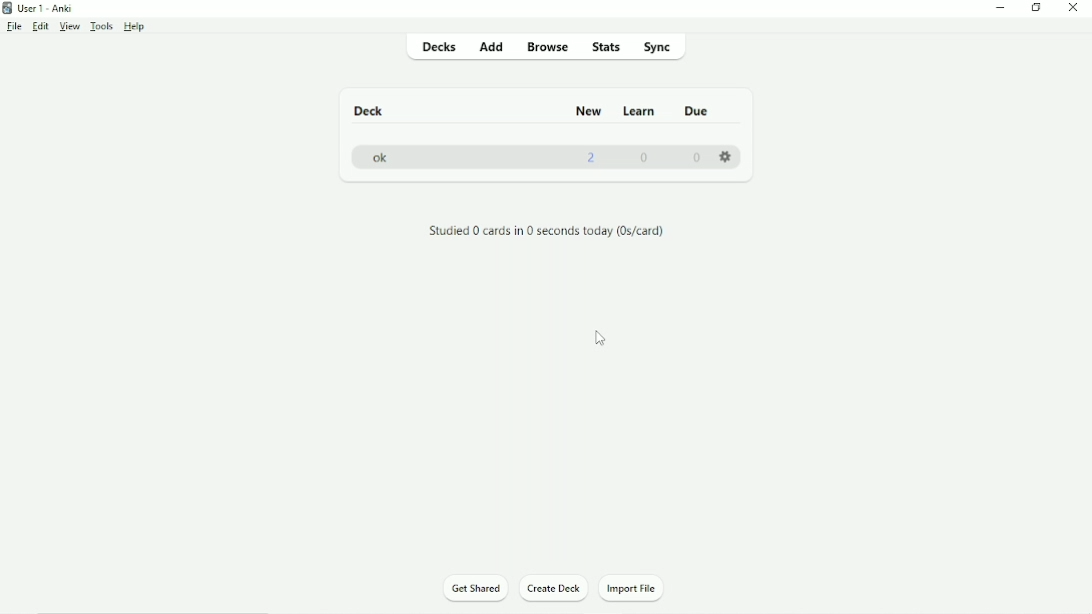  Describe the element at coordinates (491, 46) in the screenshot. I see `Add` at that location.